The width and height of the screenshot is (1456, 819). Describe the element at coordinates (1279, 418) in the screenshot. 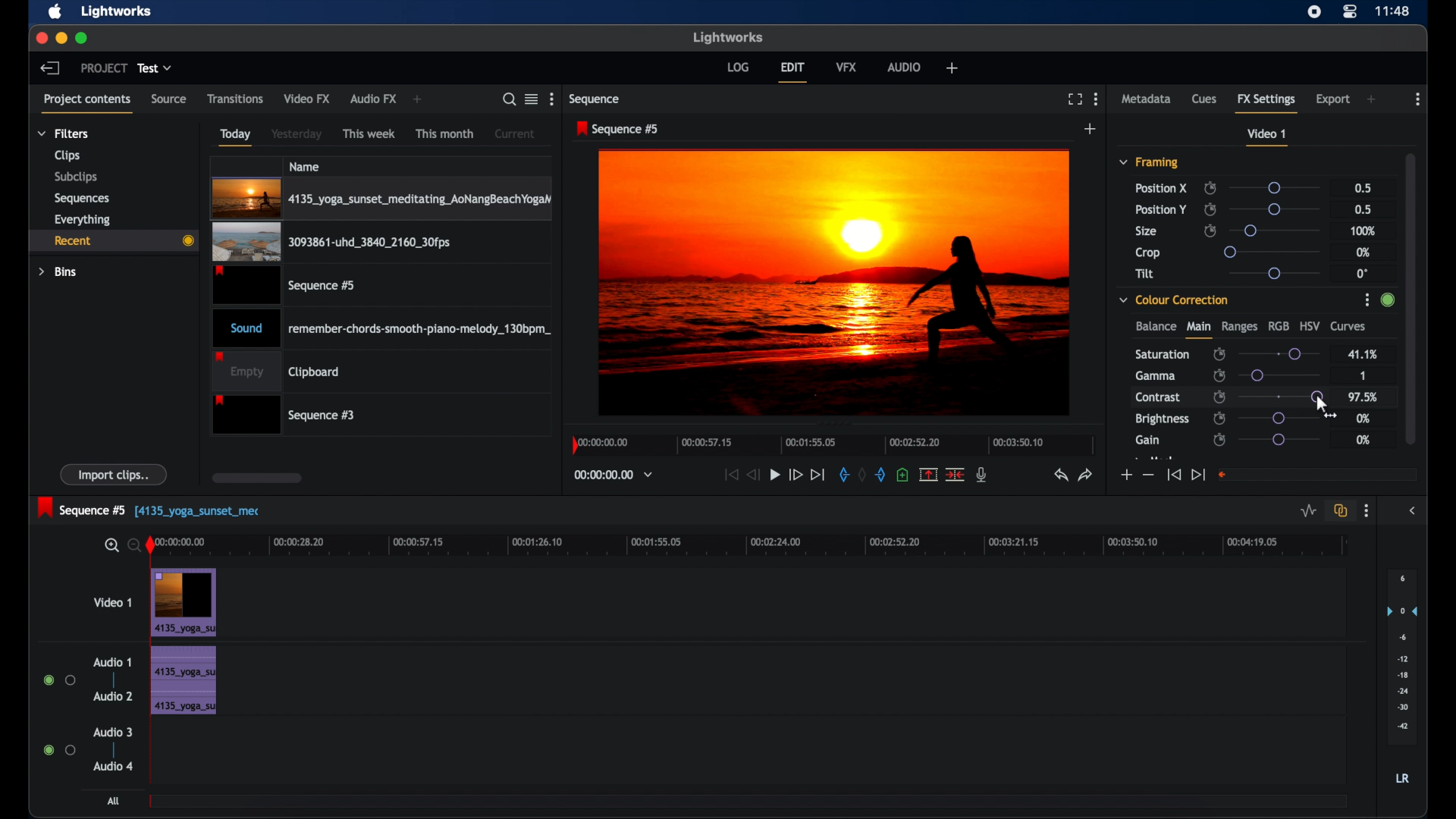

I see `slider` at that location.